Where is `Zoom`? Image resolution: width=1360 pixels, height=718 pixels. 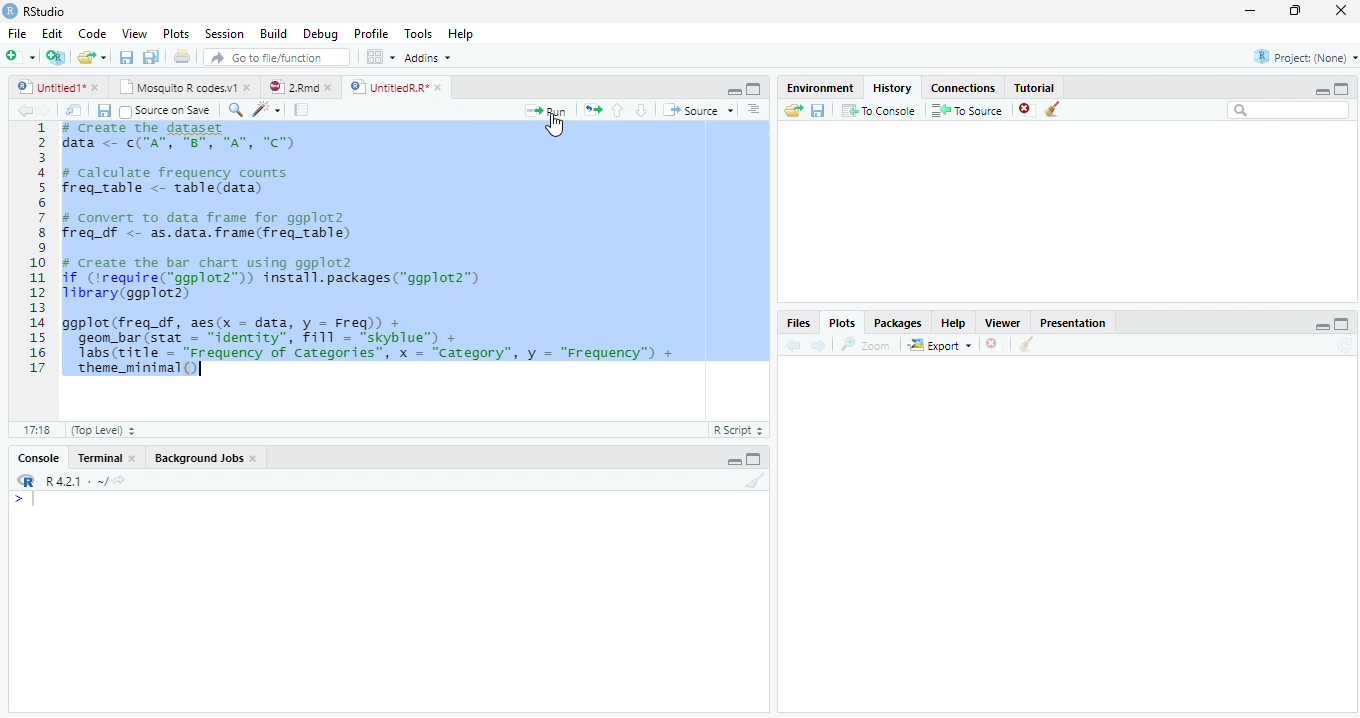
Zoom is located at coordinates (867, 347).